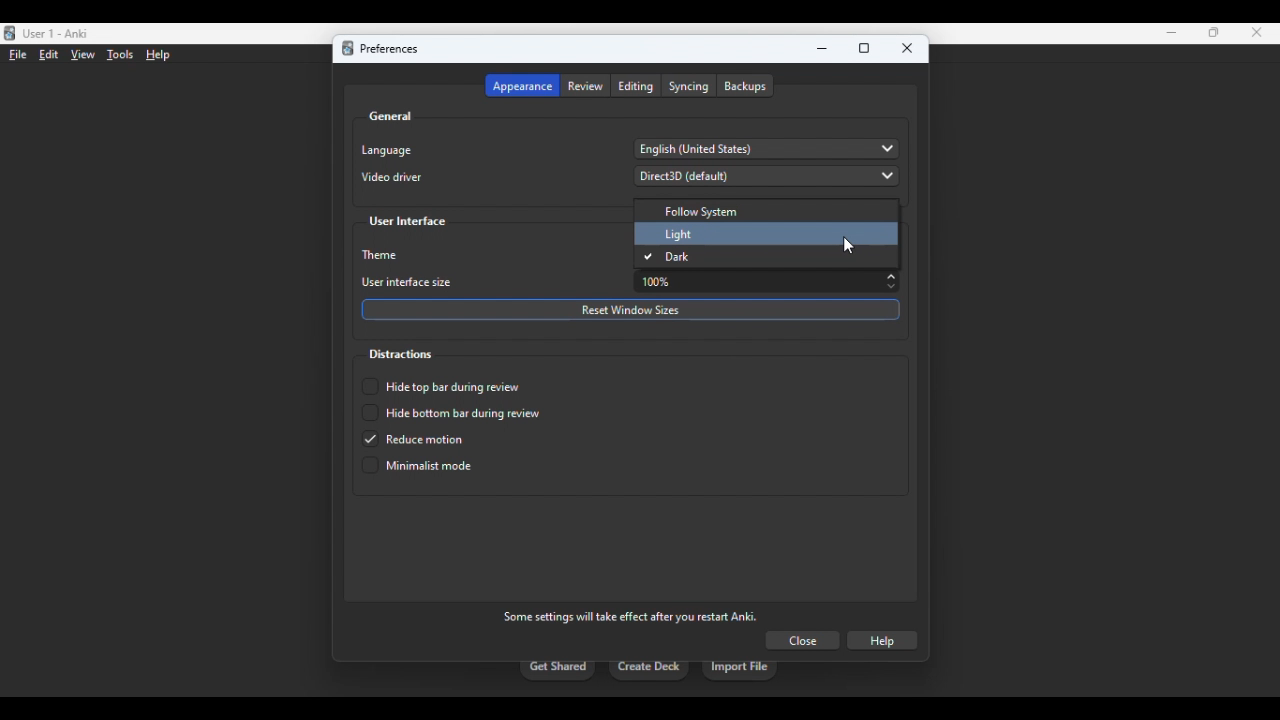  What do you see at coordinates (408, 283) in the screenshot?
I see `user interface size` at bounding box center [408, 283].